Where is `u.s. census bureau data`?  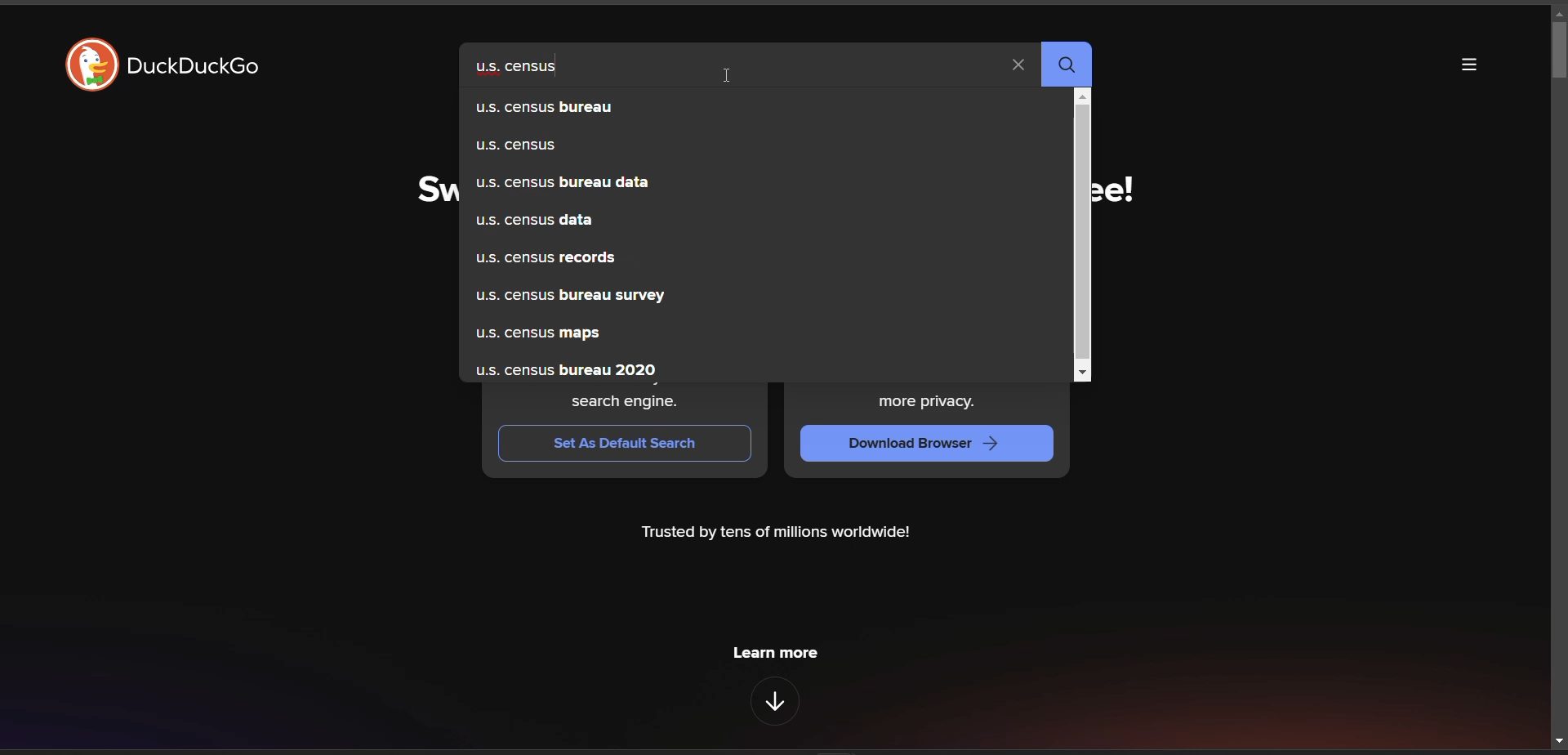
u.s. census bureau data is located at coordinates (756, 183).